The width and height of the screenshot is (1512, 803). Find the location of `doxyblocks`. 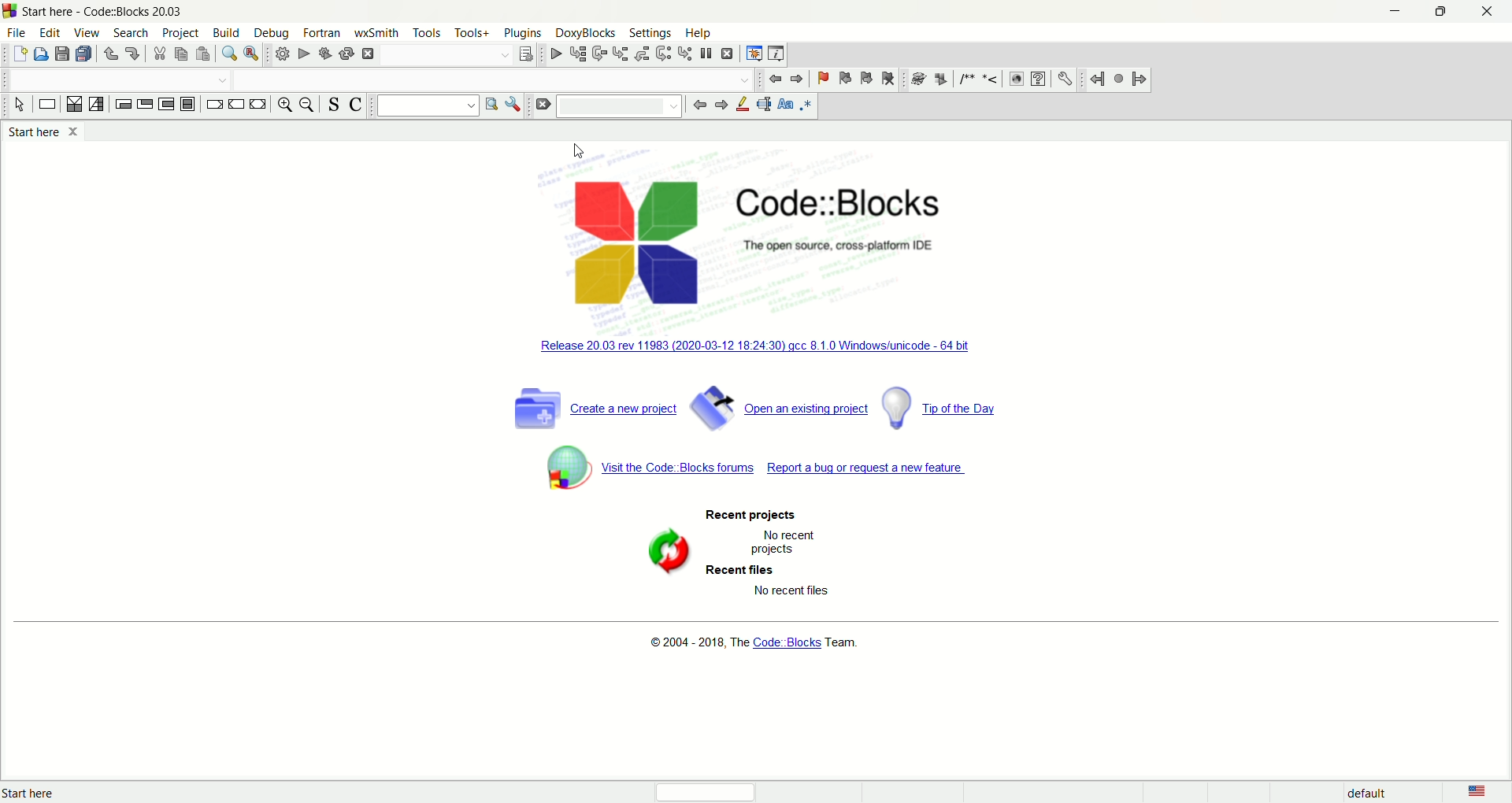

doxyblocks is located at coordinates (585, 34).